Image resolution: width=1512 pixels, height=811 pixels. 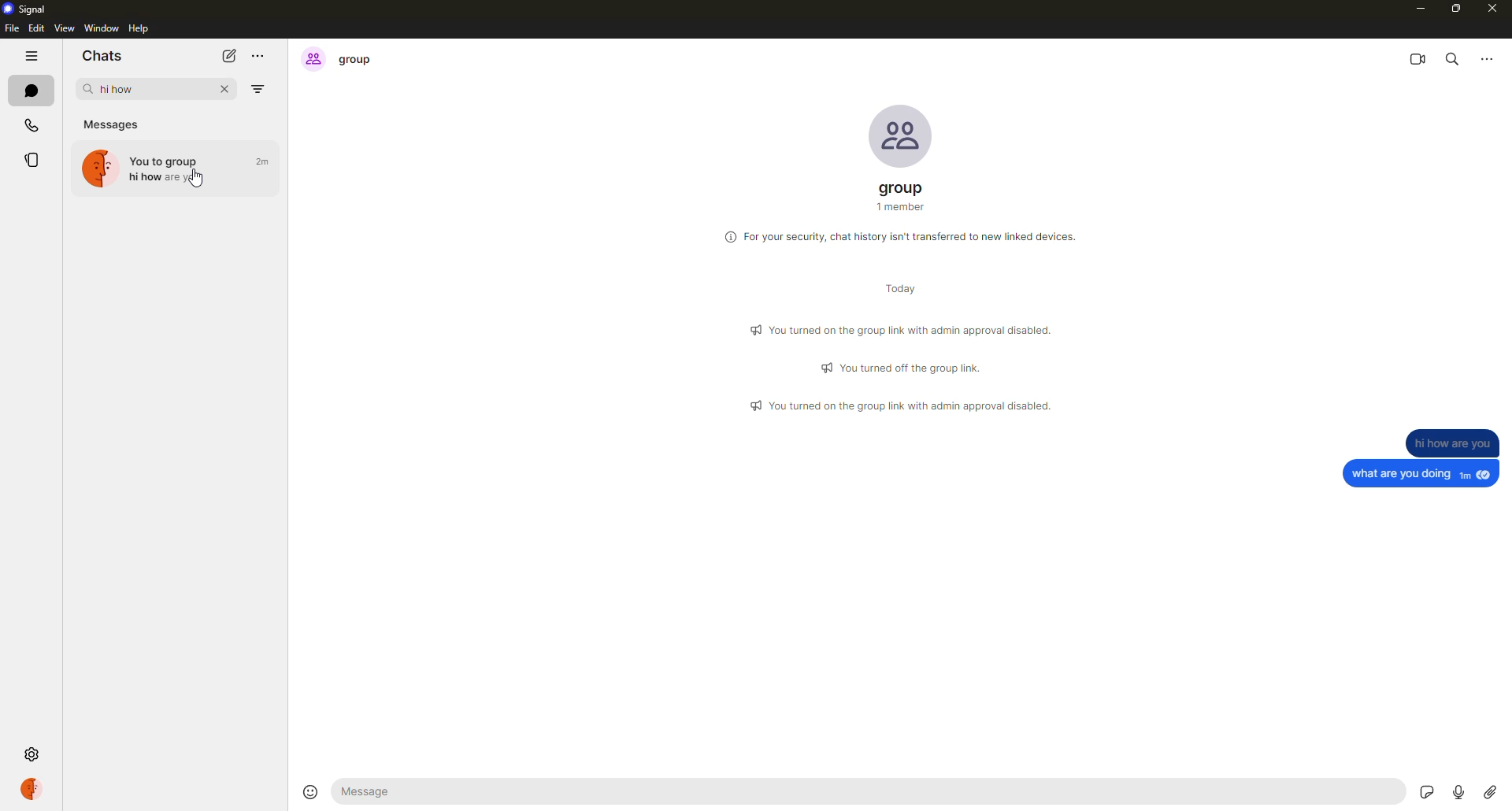 What do you see at coordinates (113, 87) in the screenshot?
I see `hi how` at bounding box center [113, 87].